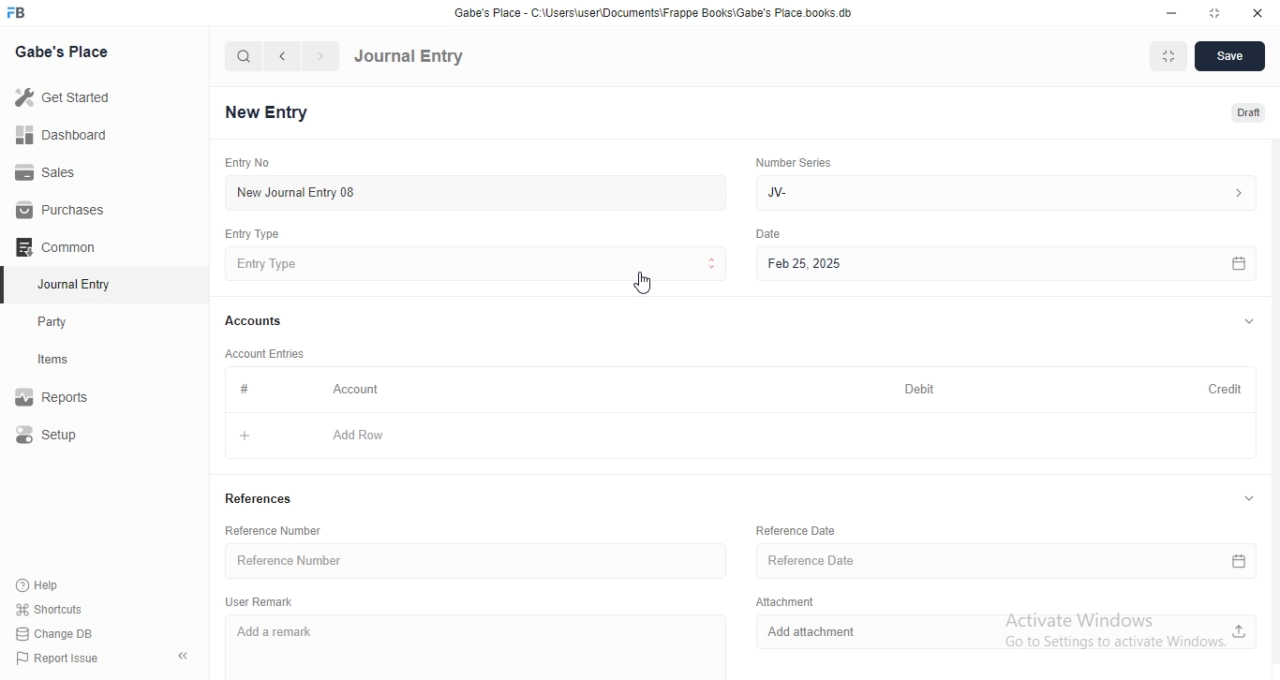 The width and height of the screenshot is (1280, 680). I want to click on Common, so click(60, 247).